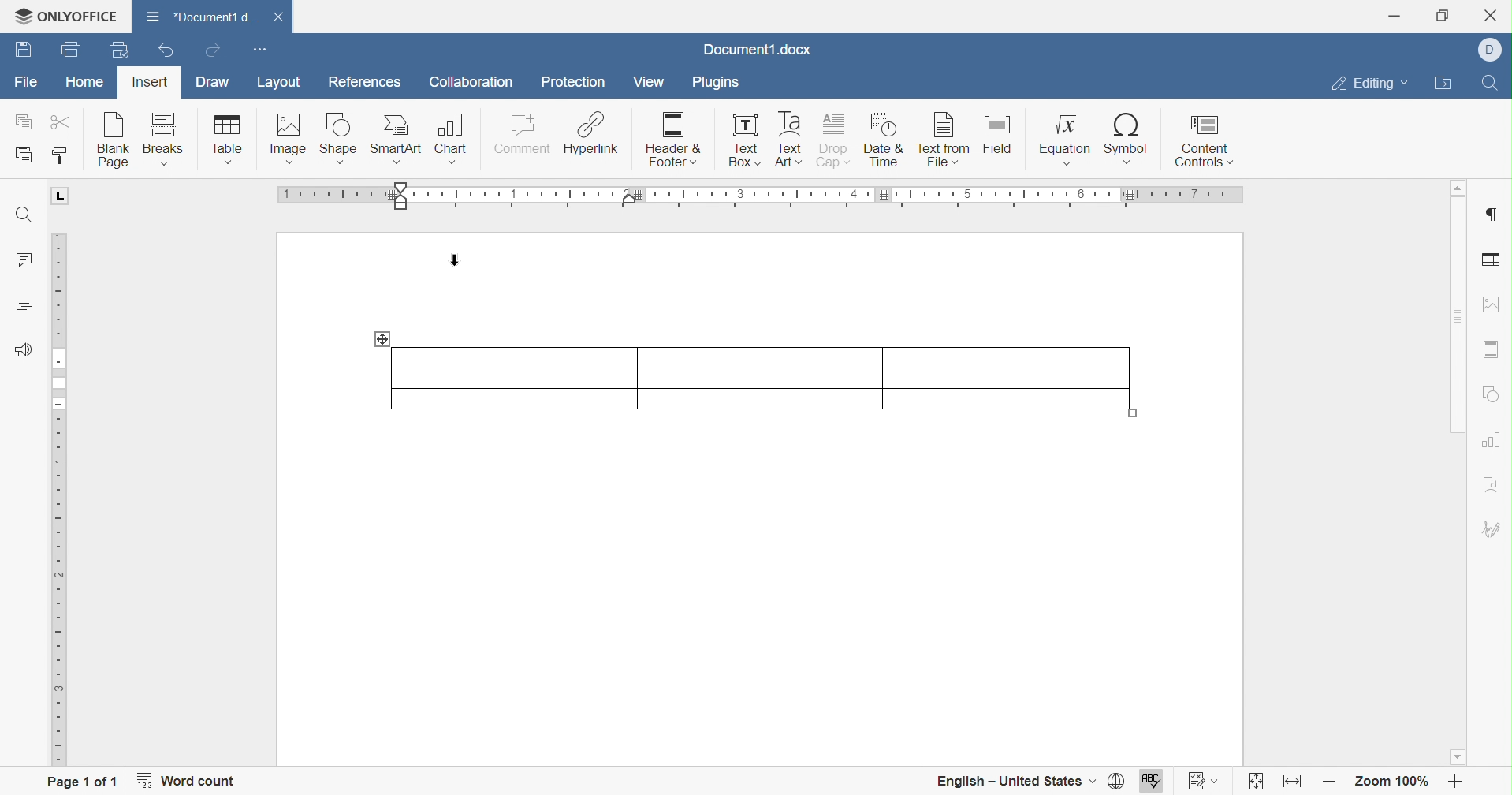 This screenshot has height=795, width=1512. I want to click on Insert blank page, so click(117, 140).